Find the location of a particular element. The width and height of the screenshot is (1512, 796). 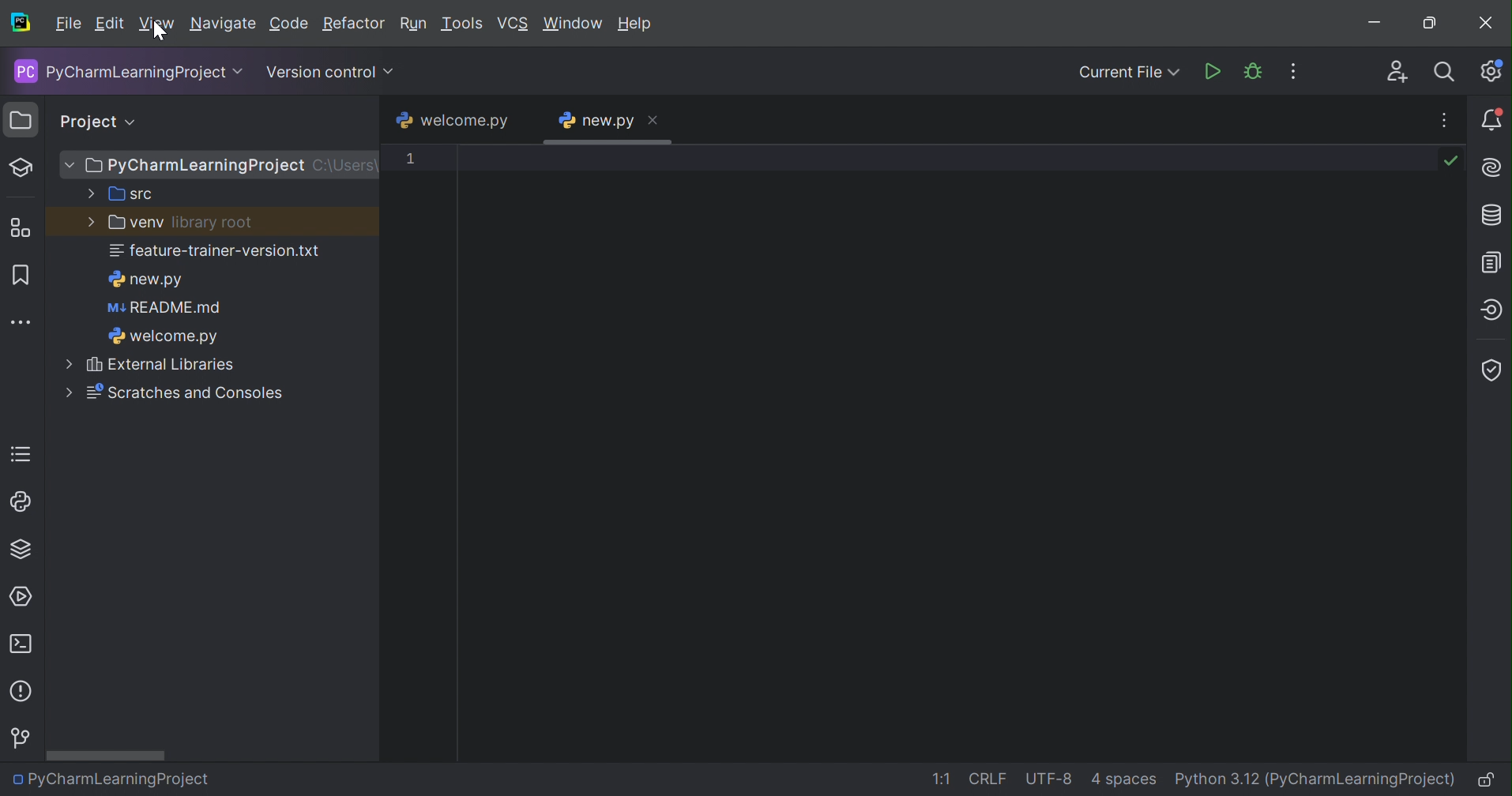

Python Packages is located at coordinates (19, 551).